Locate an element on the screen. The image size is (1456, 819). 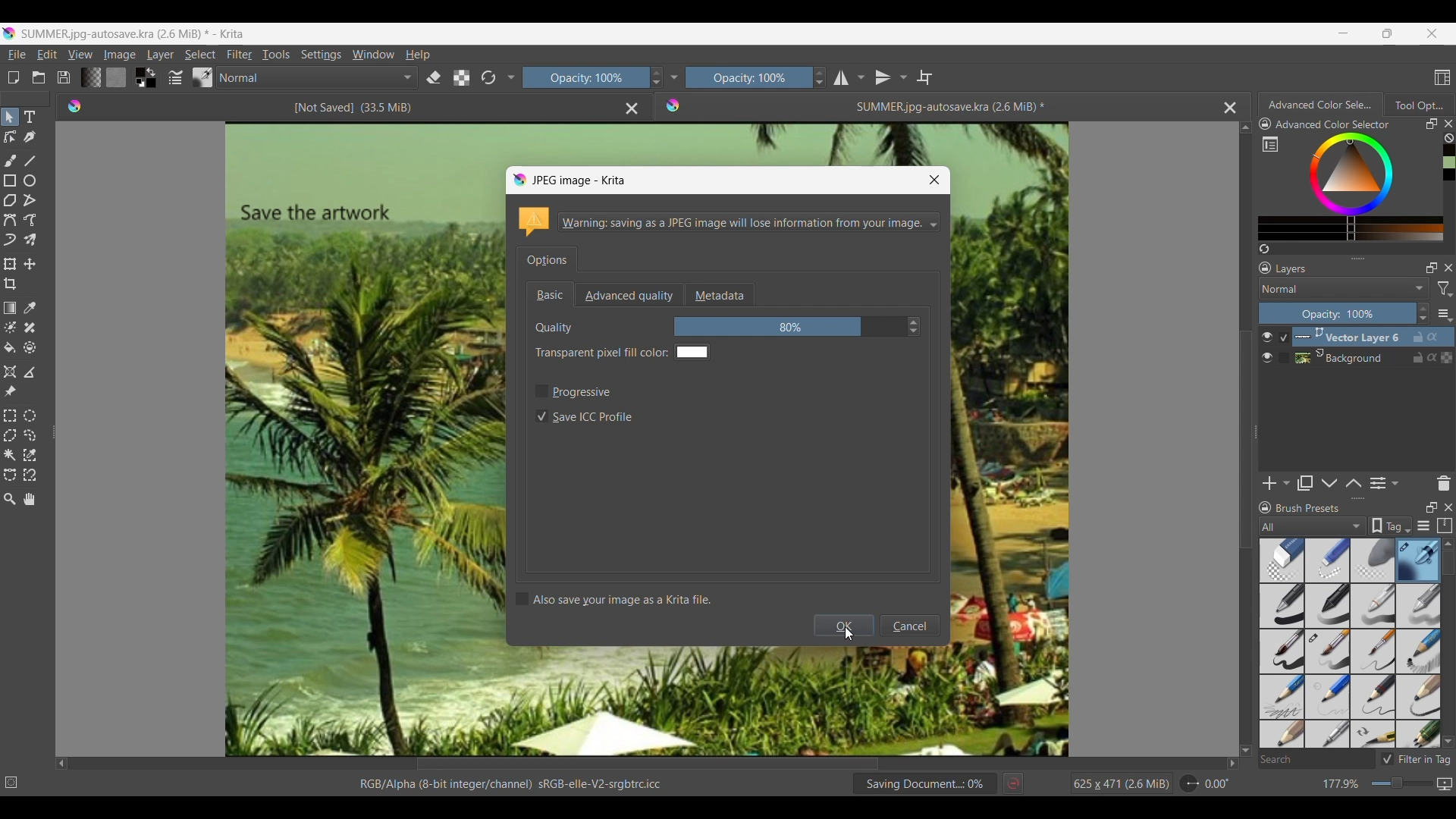
Interchange background and foreground color is located at coordinates (152, 72).